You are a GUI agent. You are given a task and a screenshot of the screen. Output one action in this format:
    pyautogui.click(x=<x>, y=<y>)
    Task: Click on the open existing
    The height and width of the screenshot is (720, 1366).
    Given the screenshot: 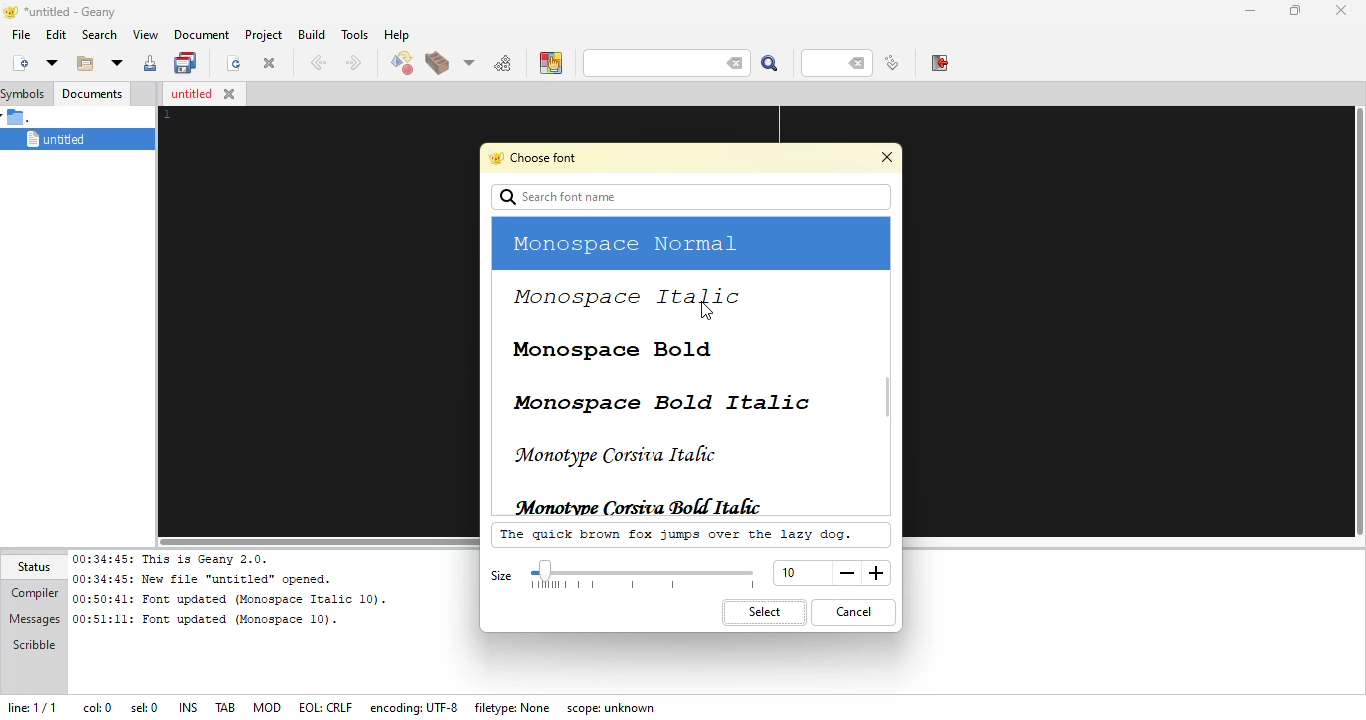 What is the action you would take?
    pyautogui.click(x=83, y=63)
    